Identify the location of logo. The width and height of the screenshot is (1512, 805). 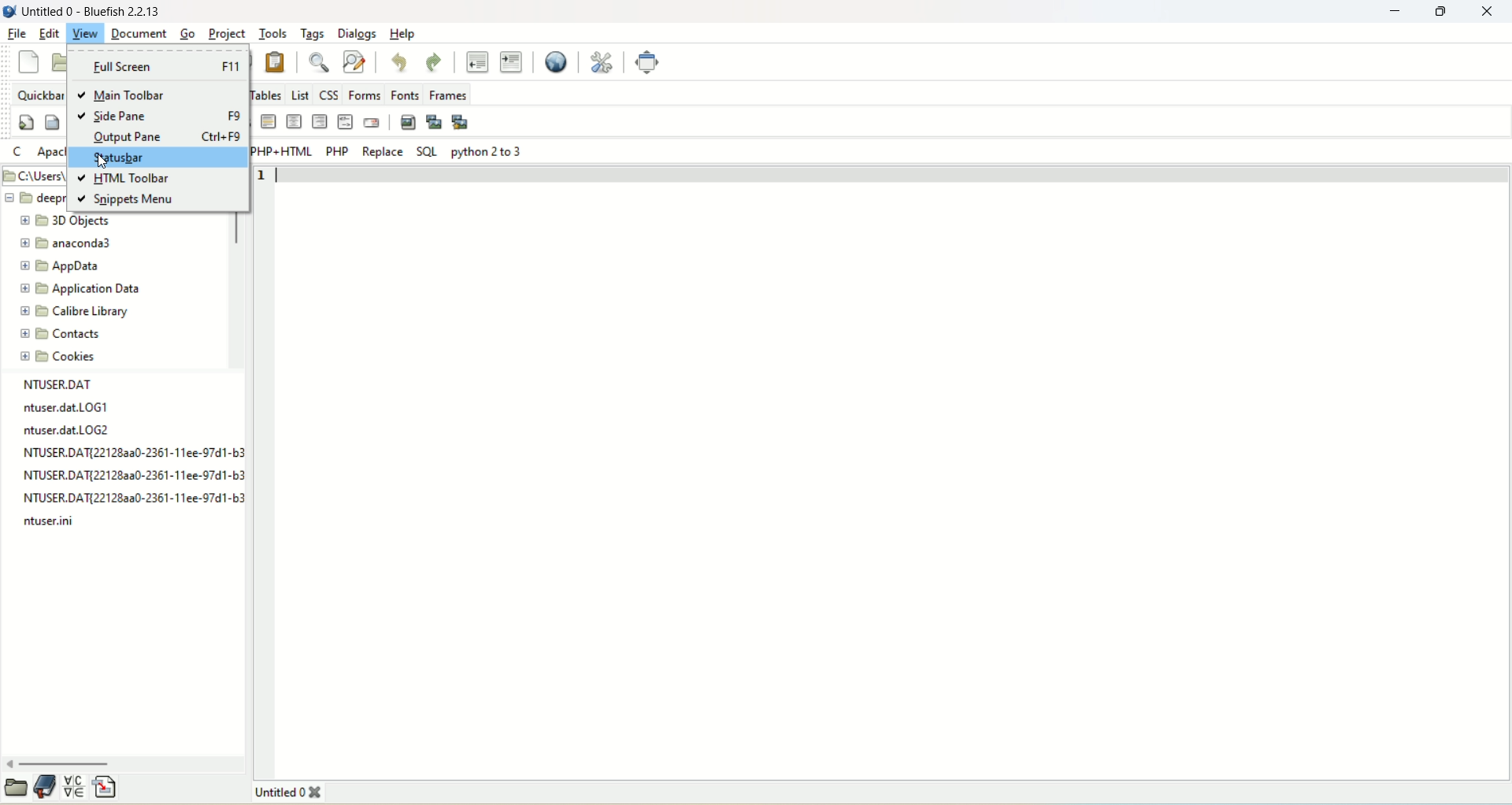
(9, 12).